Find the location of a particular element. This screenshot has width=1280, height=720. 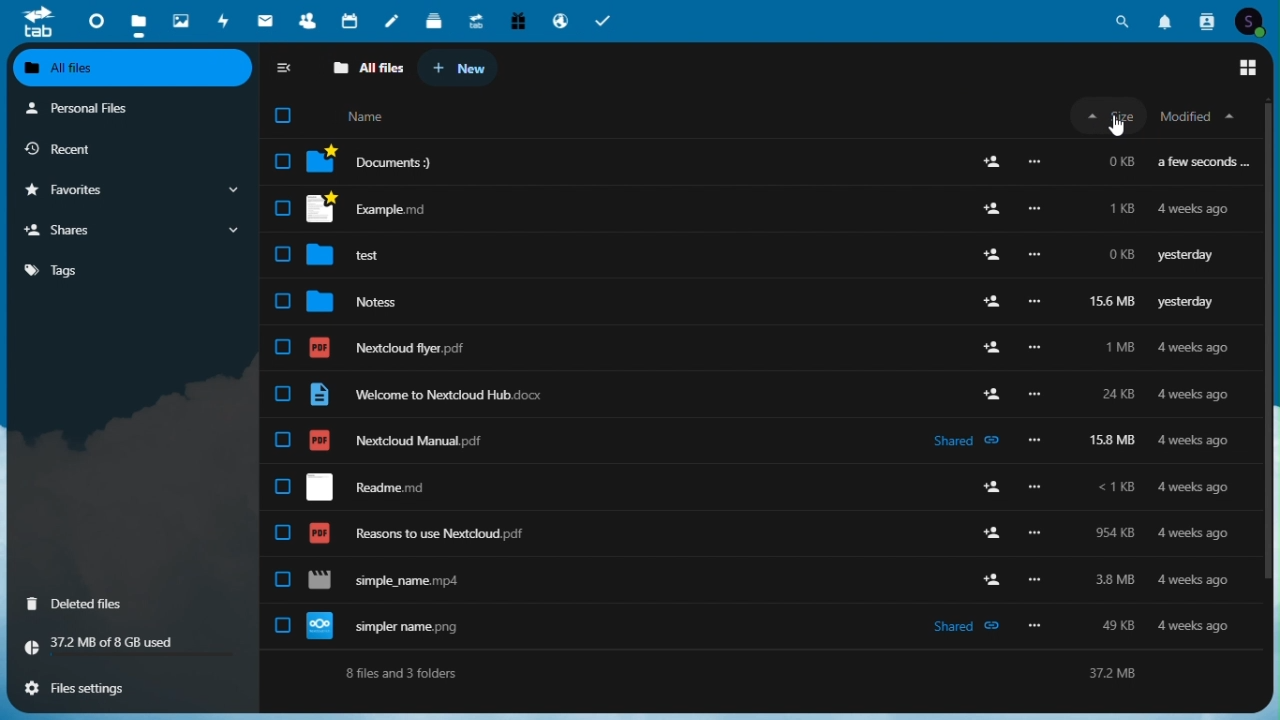

cursor is located at coordinates (1118, 127).